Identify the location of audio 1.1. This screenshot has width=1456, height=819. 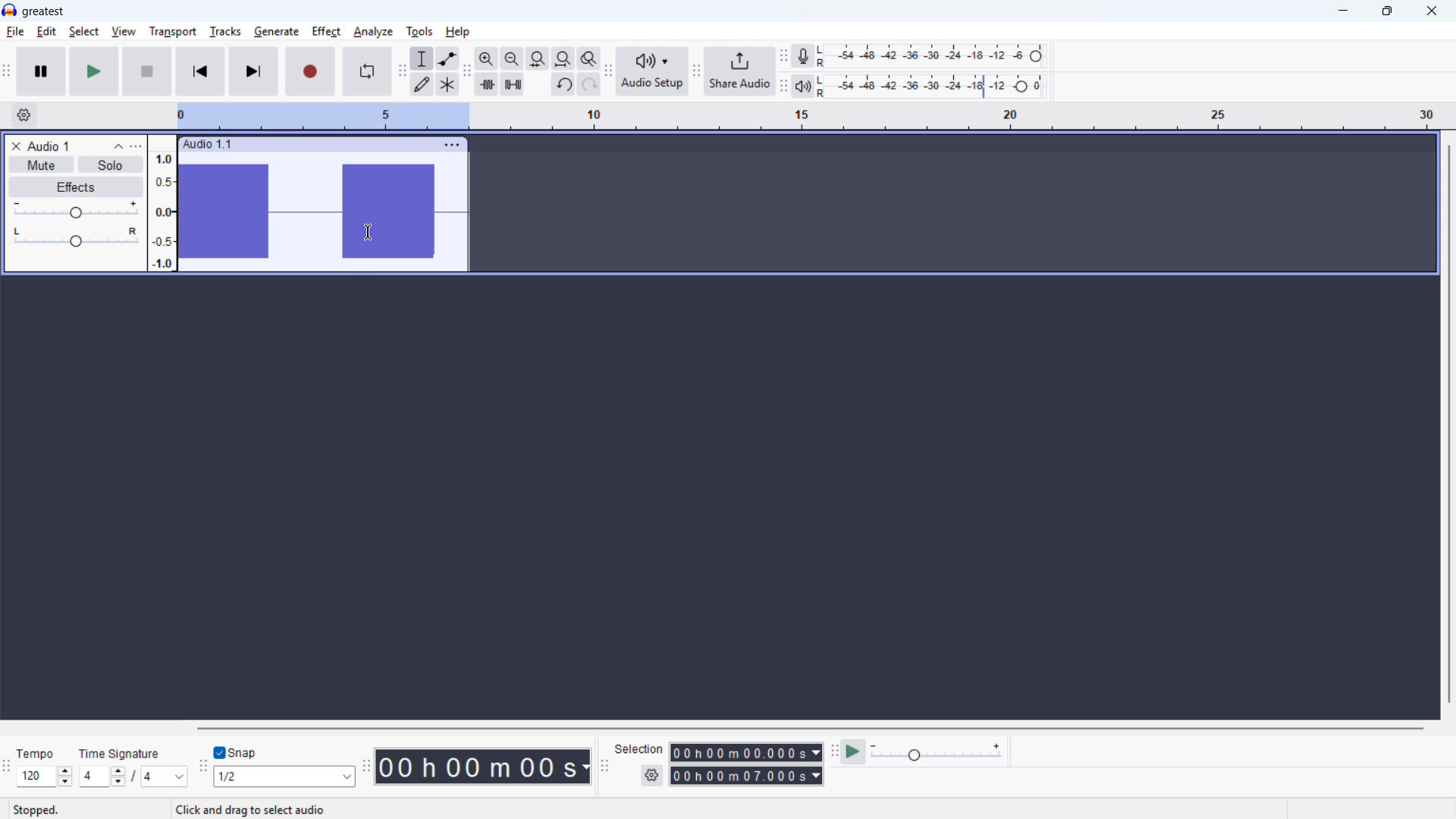
(207, 143).